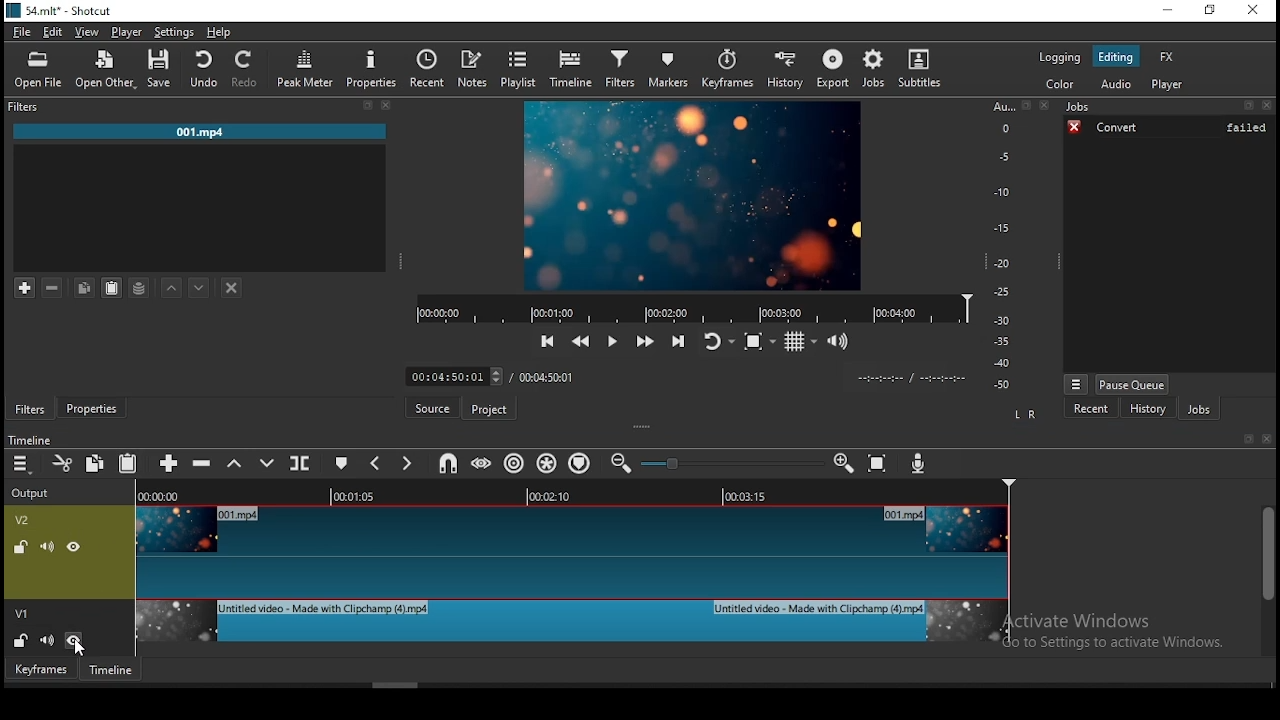 Image resolution: width=1280 pixels, height=720 pixels. I want to click on minimize, so click(1170, 9).